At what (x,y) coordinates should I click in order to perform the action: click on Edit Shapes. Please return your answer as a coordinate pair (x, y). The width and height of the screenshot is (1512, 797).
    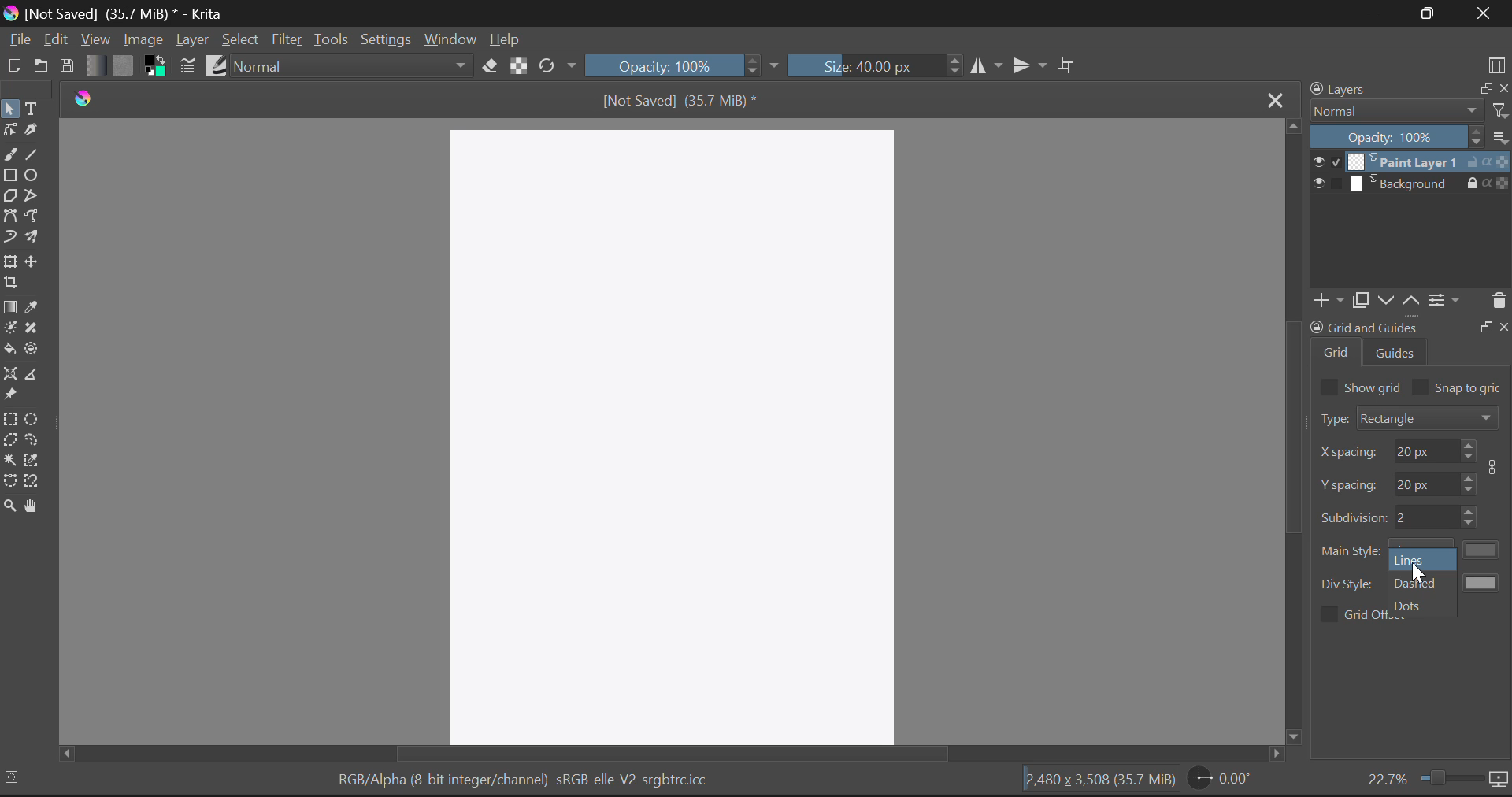
    Looking at the image, I should click on (9, 132).